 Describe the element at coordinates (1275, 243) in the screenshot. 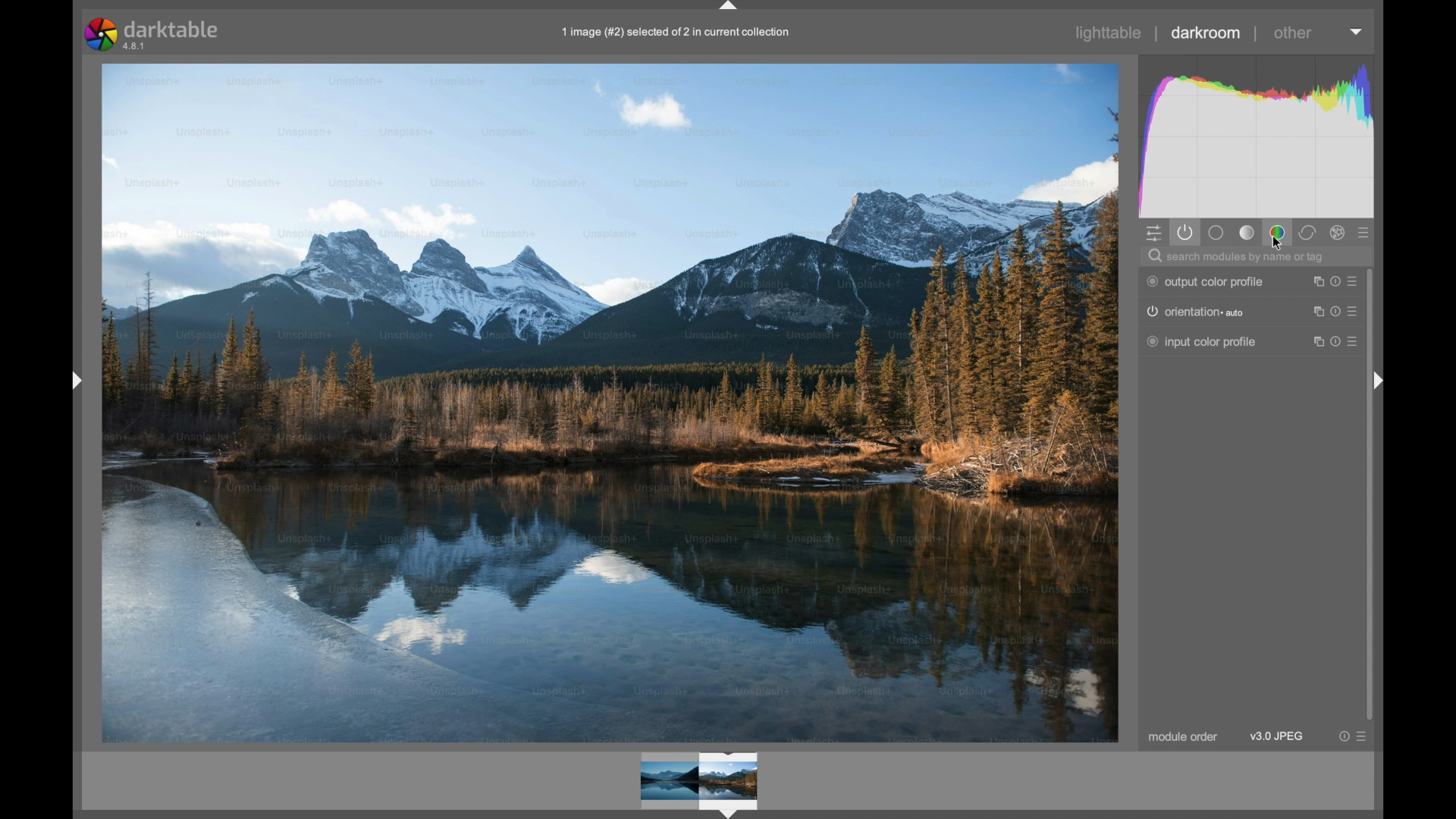

I see `Cursor` at that location.